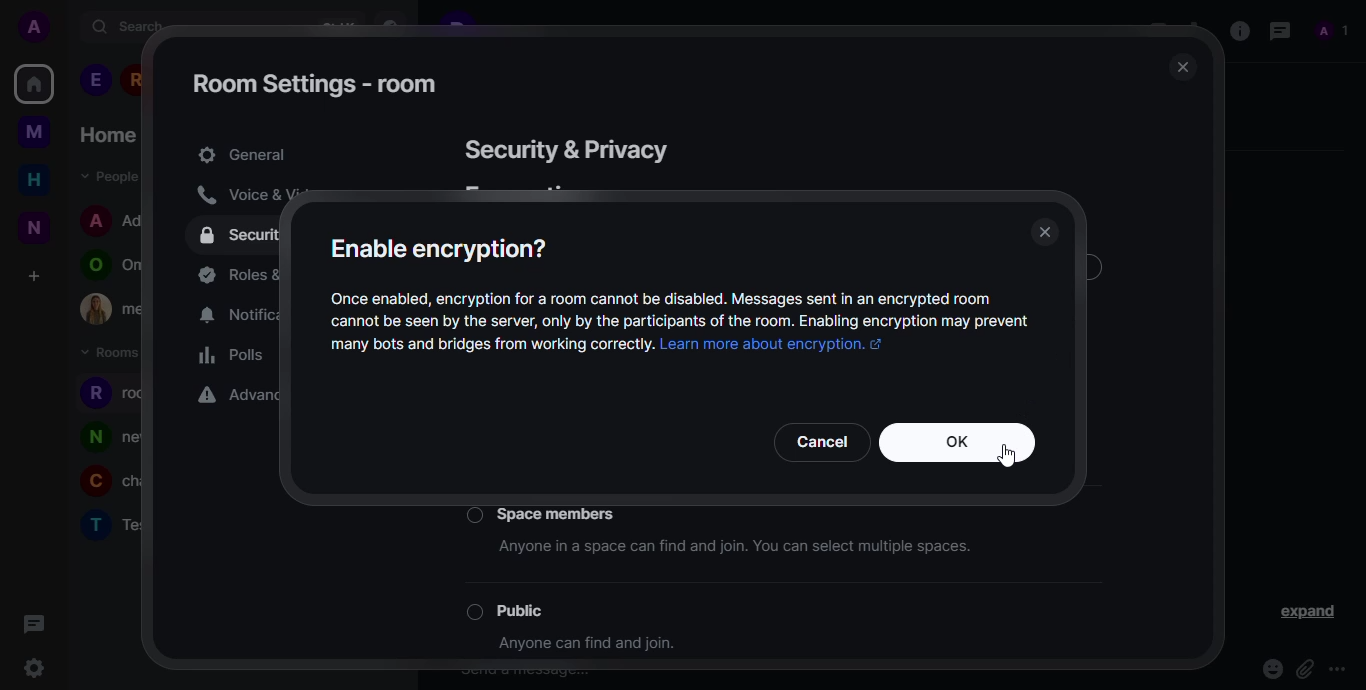  What do you see at coordinates (487, 343) in the screenshot?
I see `info- many bots and bridges from working correct.` at bounding box center [487, 343].